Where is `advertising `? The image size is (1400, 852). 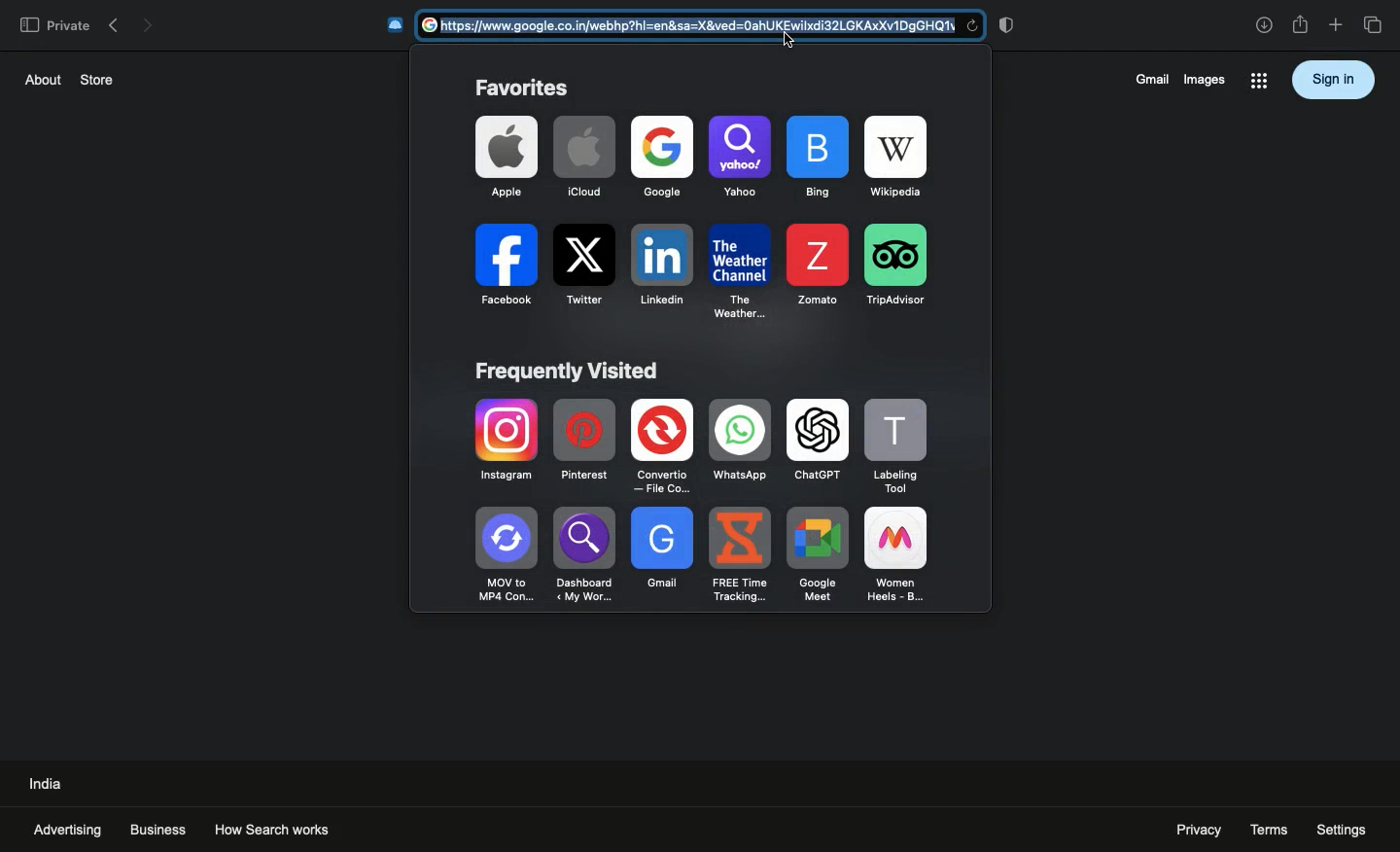
advertising  is located at coordinates (67, 830).